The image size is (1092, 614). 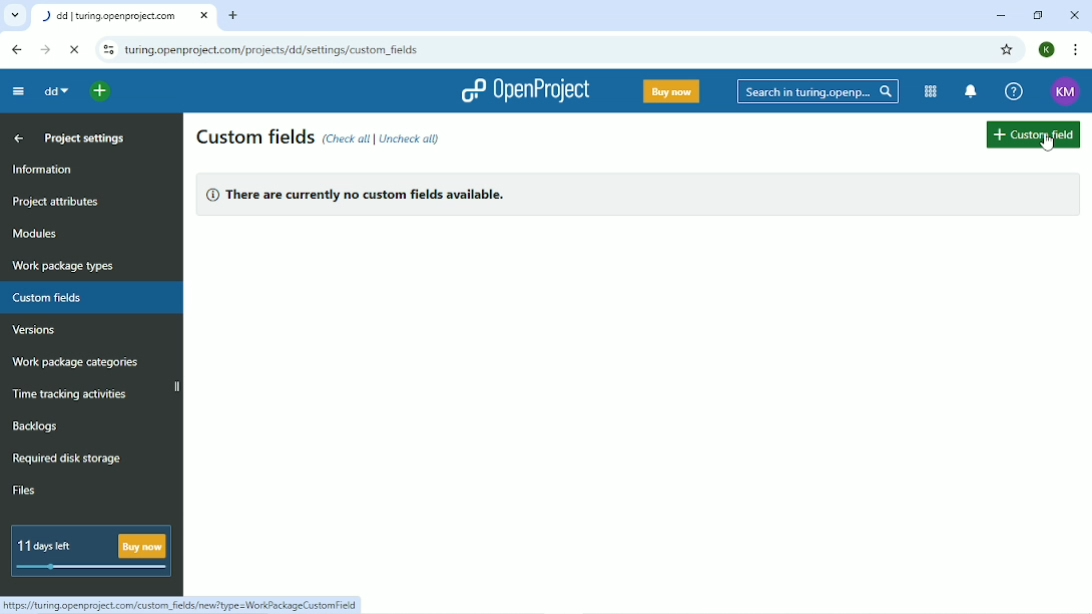 What do you see at coordinates (1008, 50) in the screenshot?
I see `Bookmark this tab` at bounding box center [1008, 50].